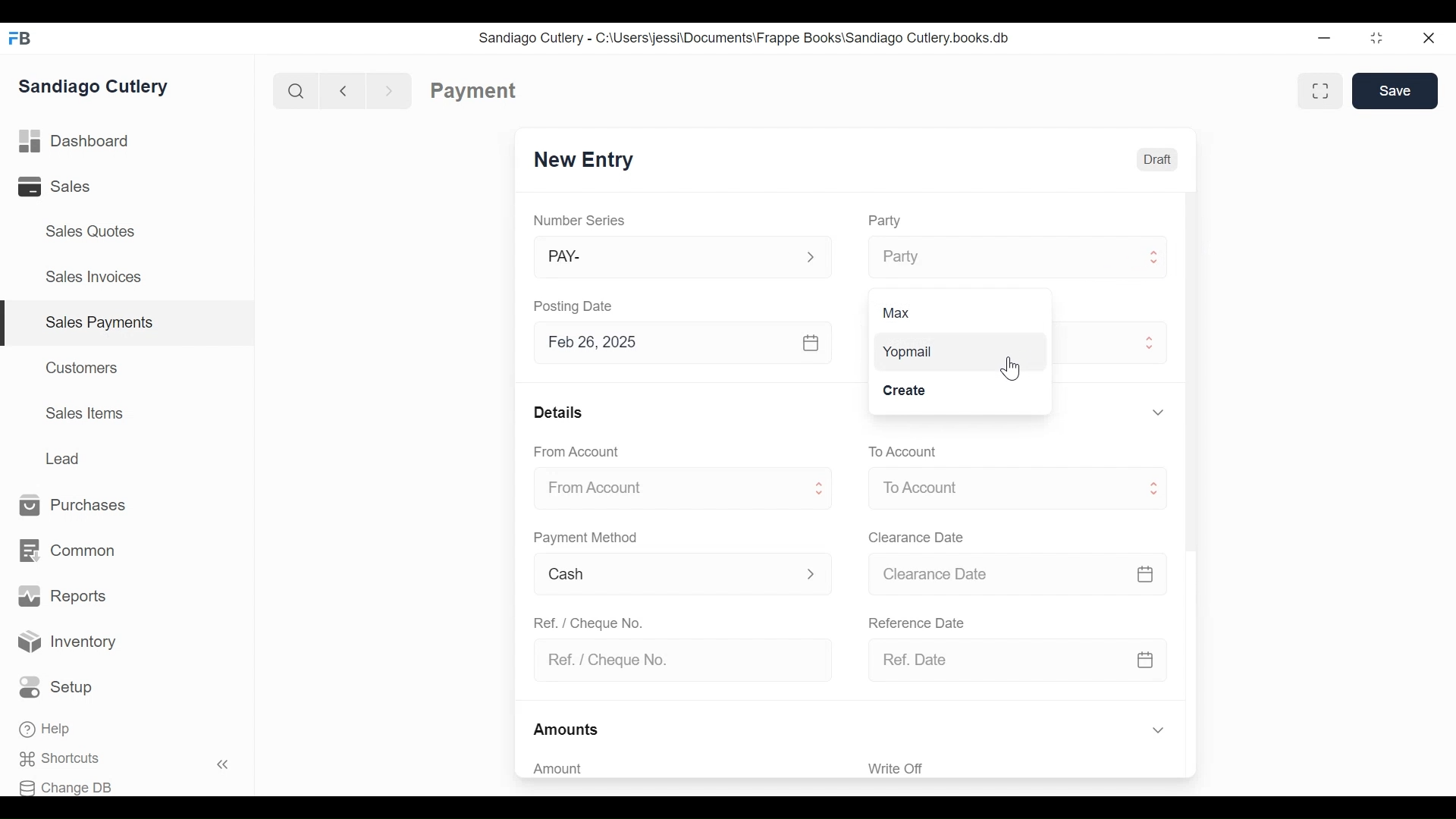  What do you see at coordinates (957, 352) in the screenshot?
I see `Yopmail ` at bounding box center [957, 352].